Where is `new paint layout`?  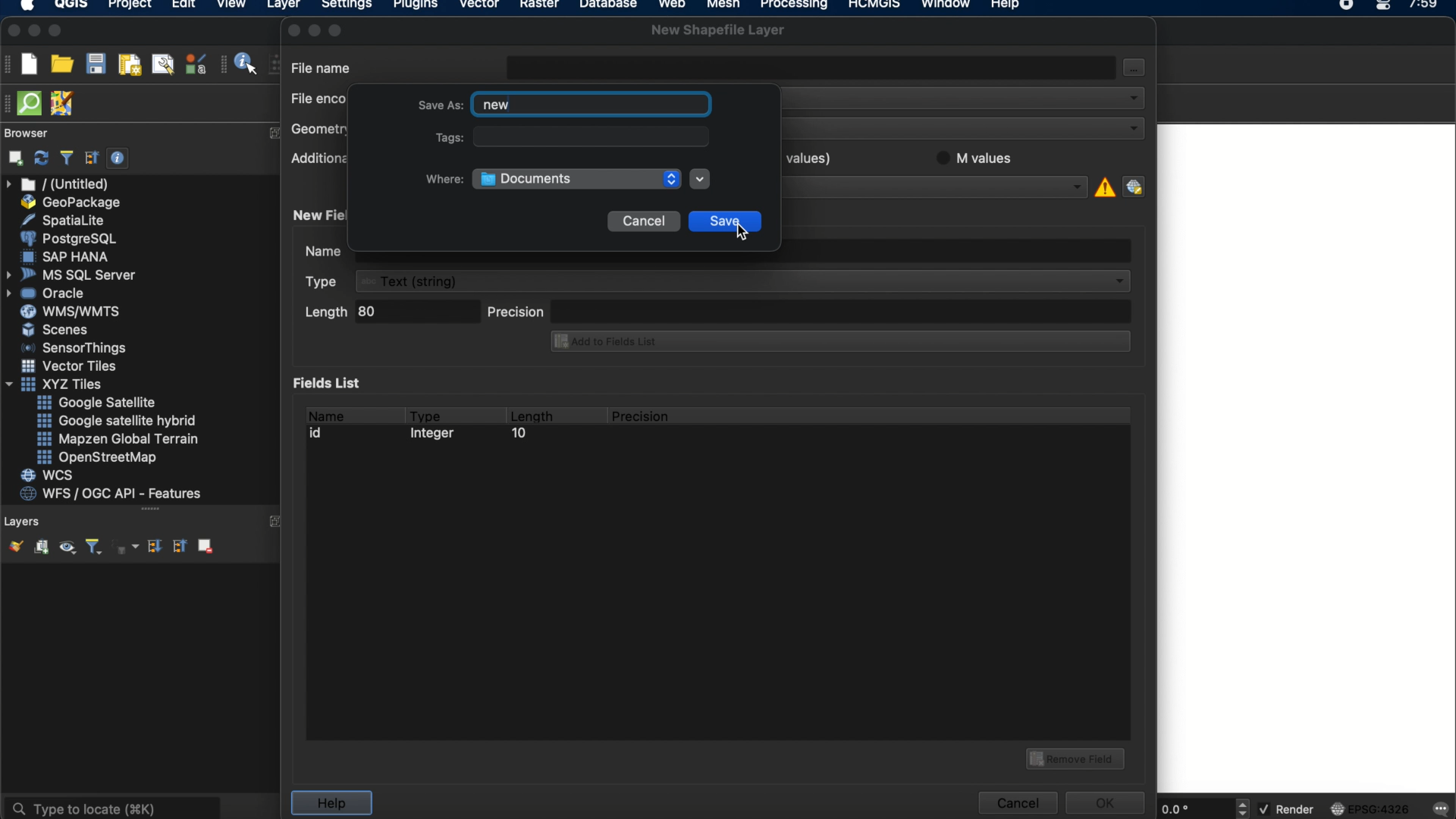 new paint layout is located at coordinates (128, 66).